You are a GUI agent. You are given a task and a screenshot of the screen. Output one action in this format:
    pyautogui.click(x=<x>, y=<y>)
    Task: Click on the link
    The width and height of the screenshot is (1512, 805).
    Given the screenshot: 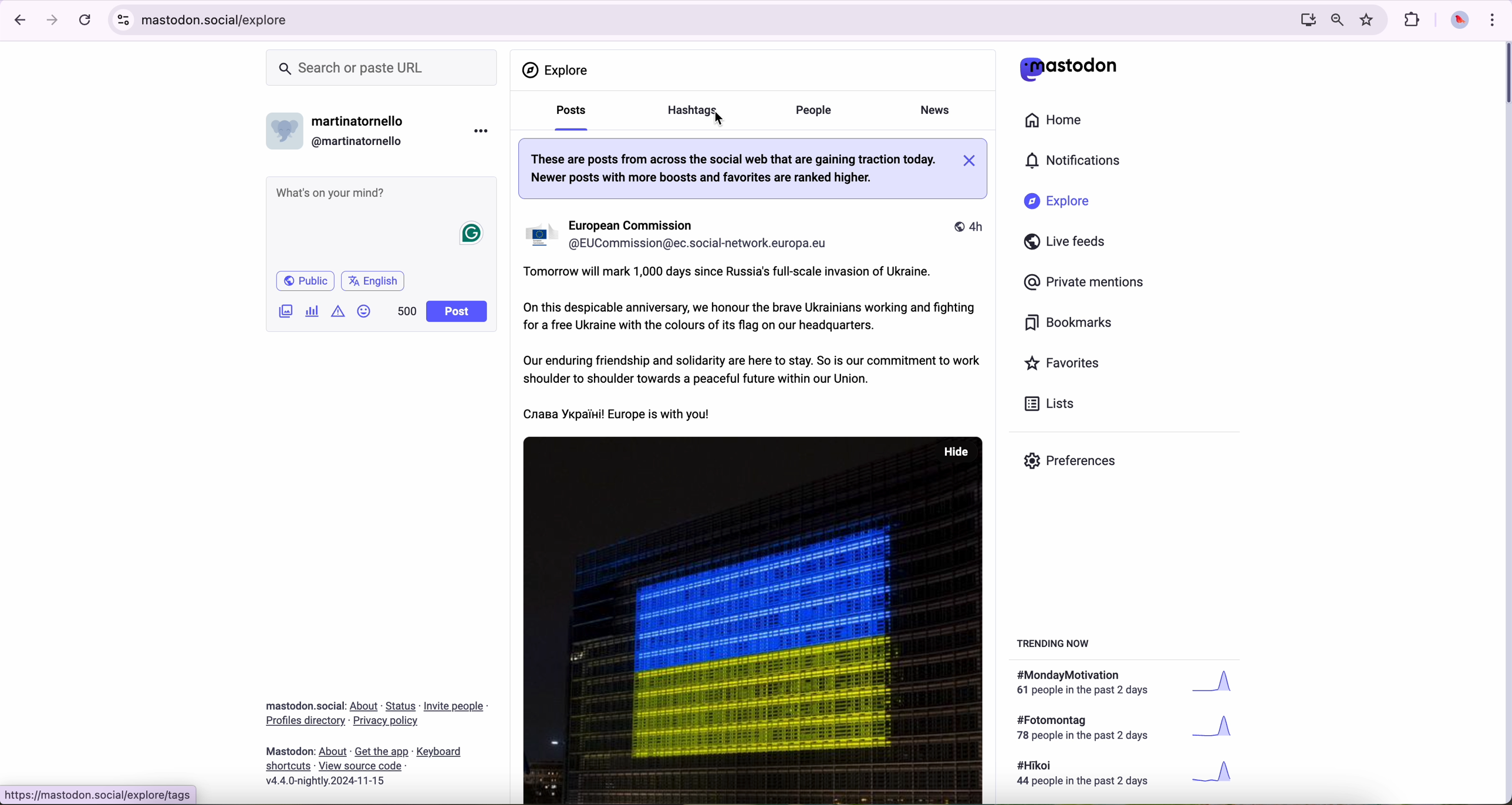 What is the action you would take?
    pyautogui.click(x=382, y=753)
    